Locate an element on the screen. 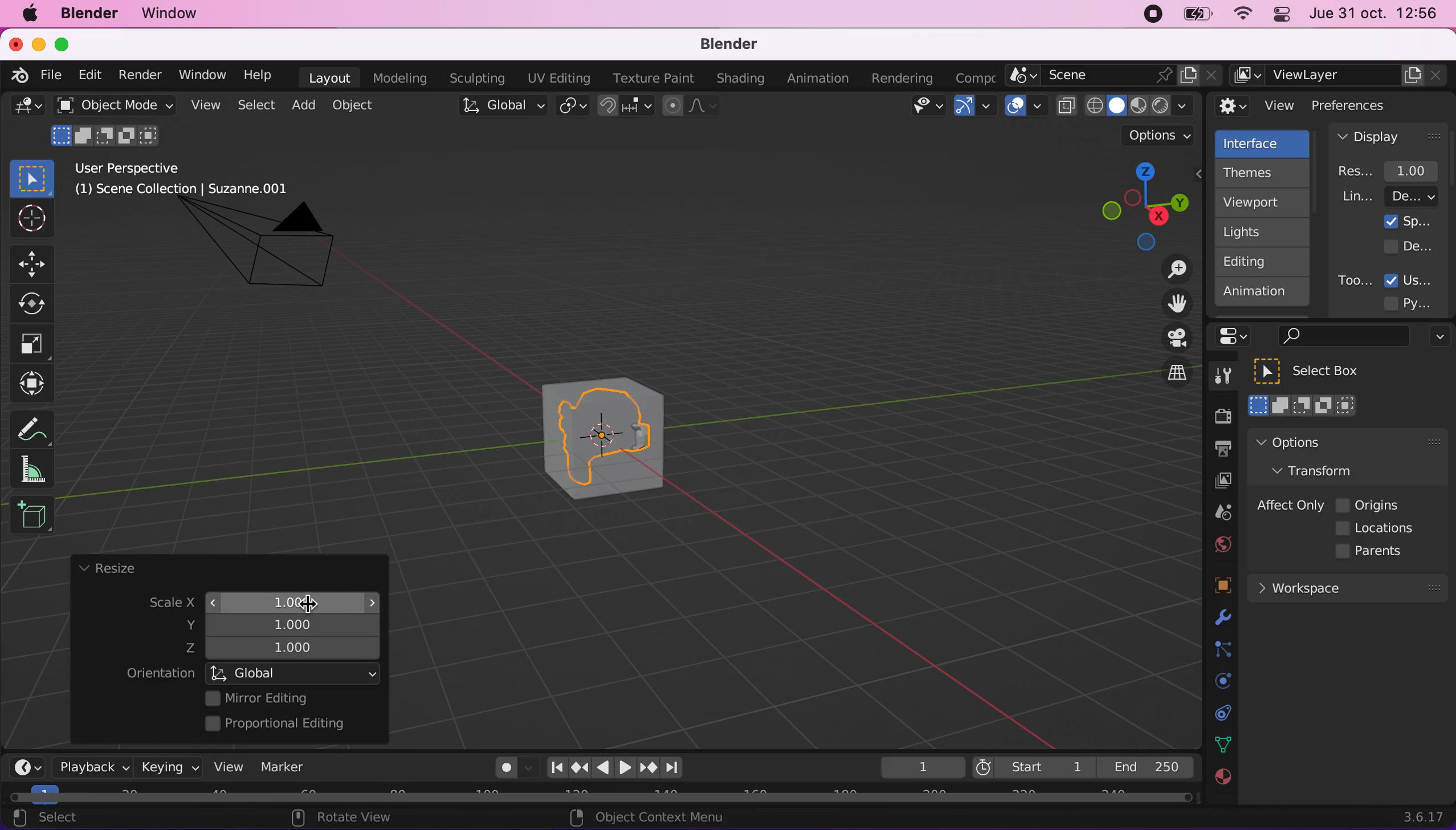 Image resolution: width=1456 pixels, height=830 pixels. wifi is located at coordinates (1239, 17).